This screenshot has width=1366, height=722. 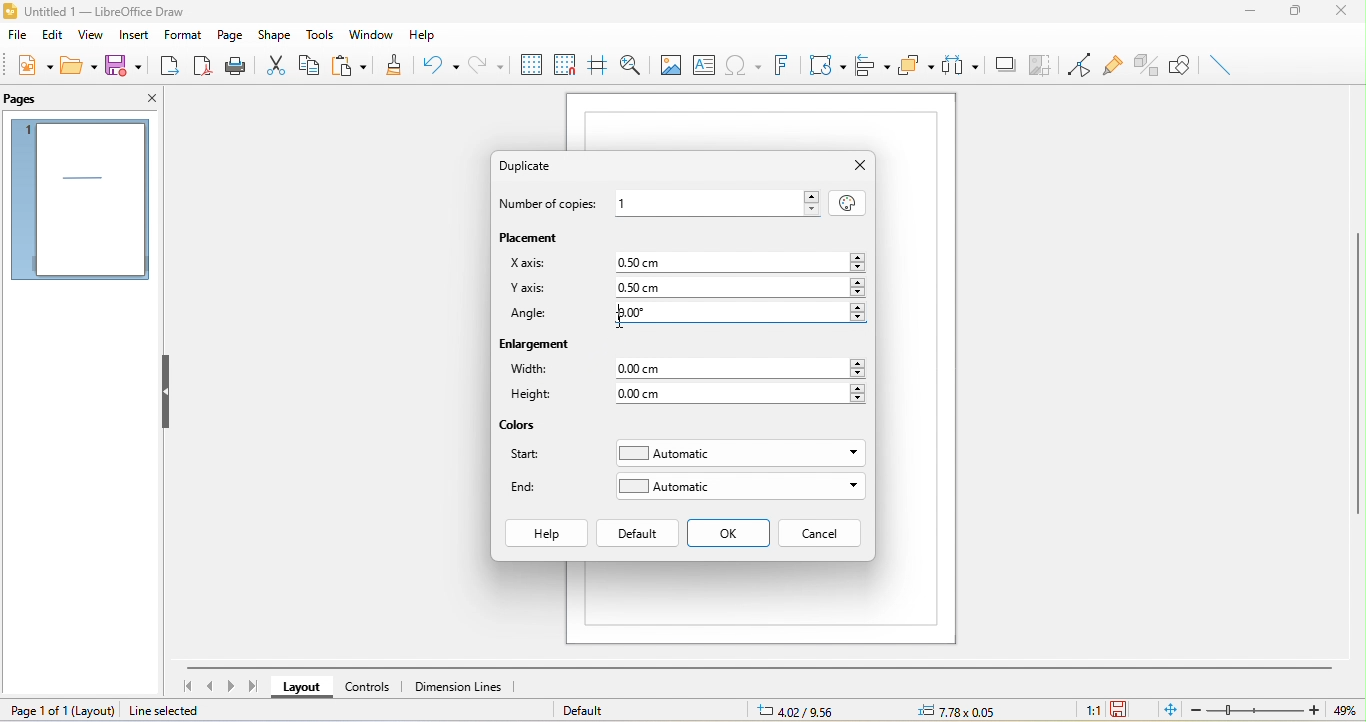 What do you see at coordinates (53, 35) in the screenshot?
I see `edit` at bounding box center [53, 35].